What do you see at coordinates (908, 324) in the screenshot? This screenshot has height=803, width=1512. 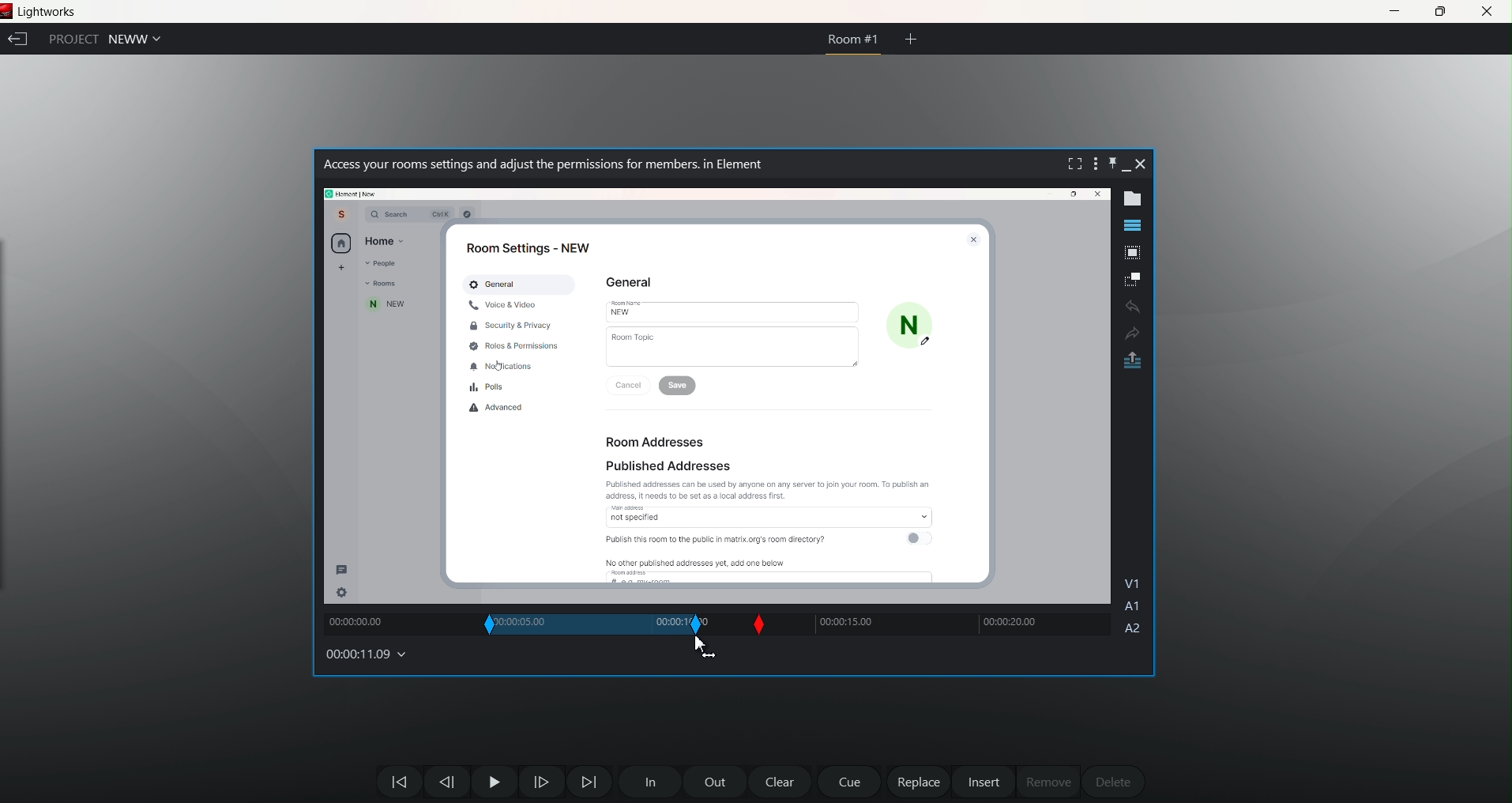 I see `N` at bounding box center [908, 324].